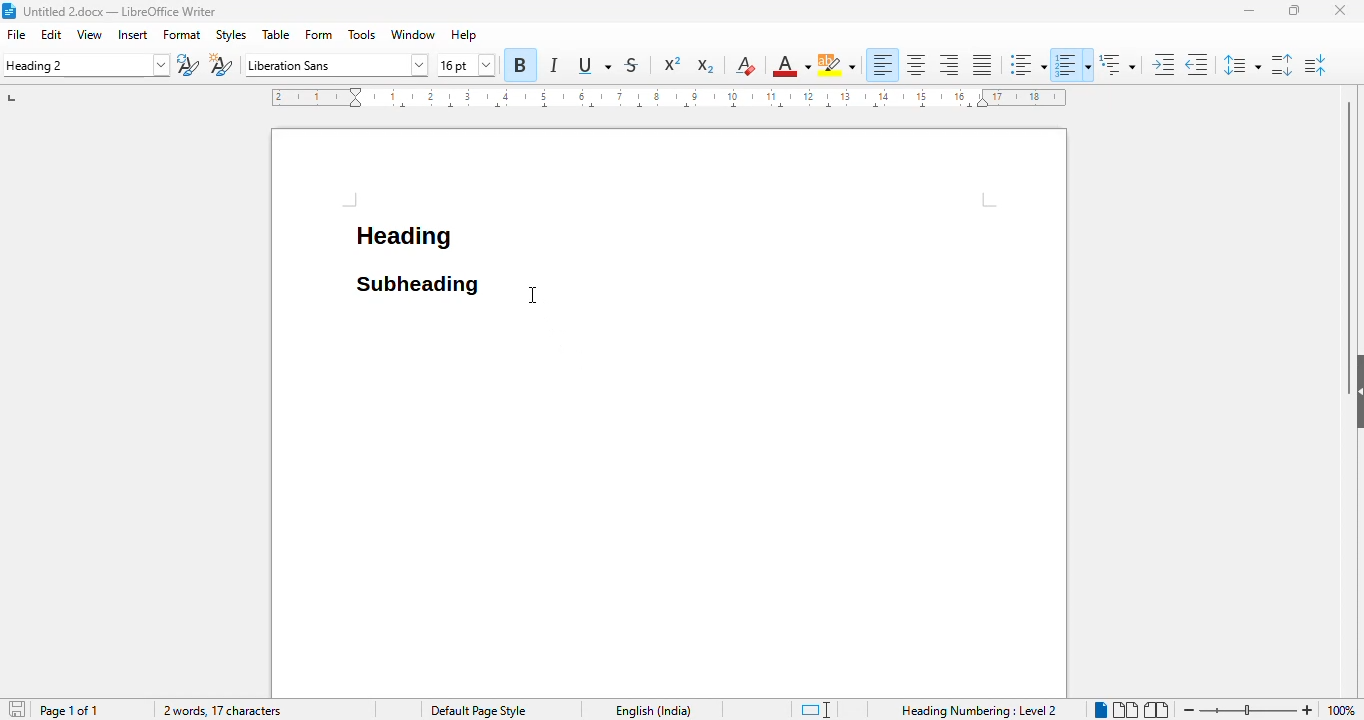 Image resolution: width=1364 pixels, height=720 pixels. I want to click on ruler, so click(668, 97).